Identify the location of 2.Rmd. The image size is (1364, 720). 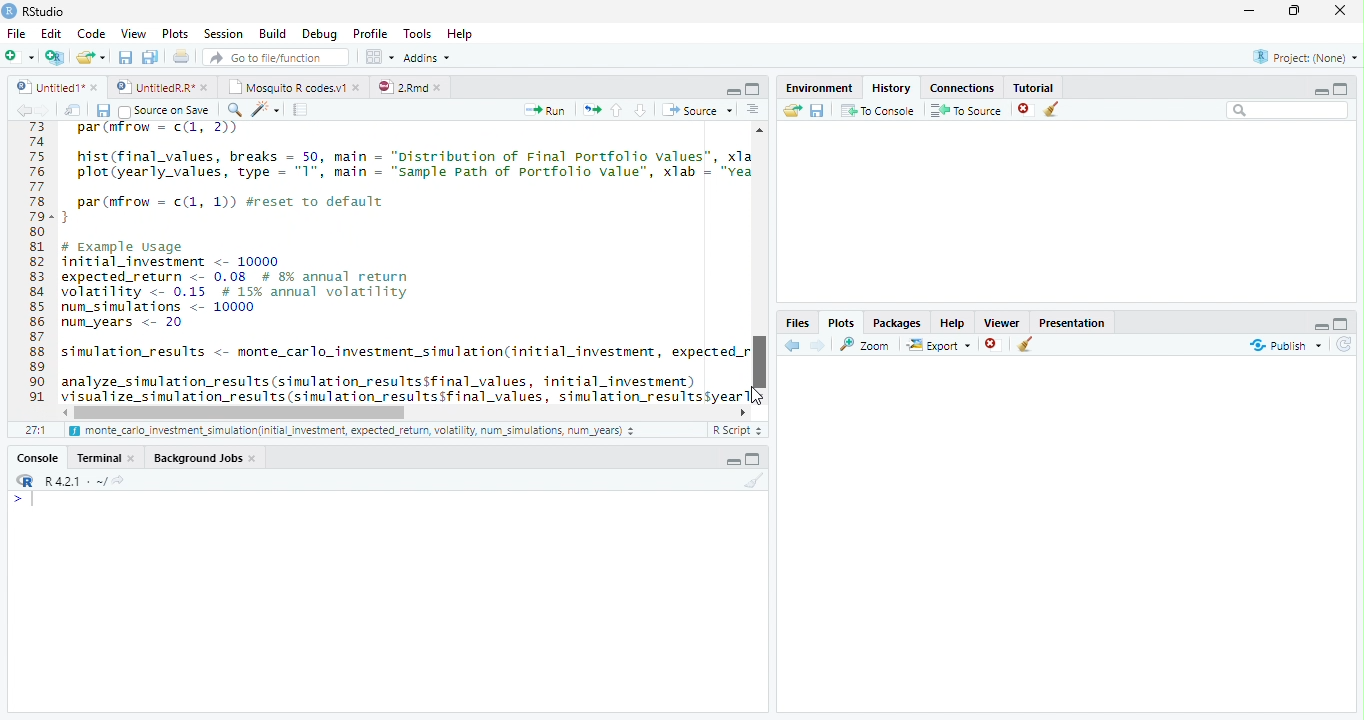
(410, 87).